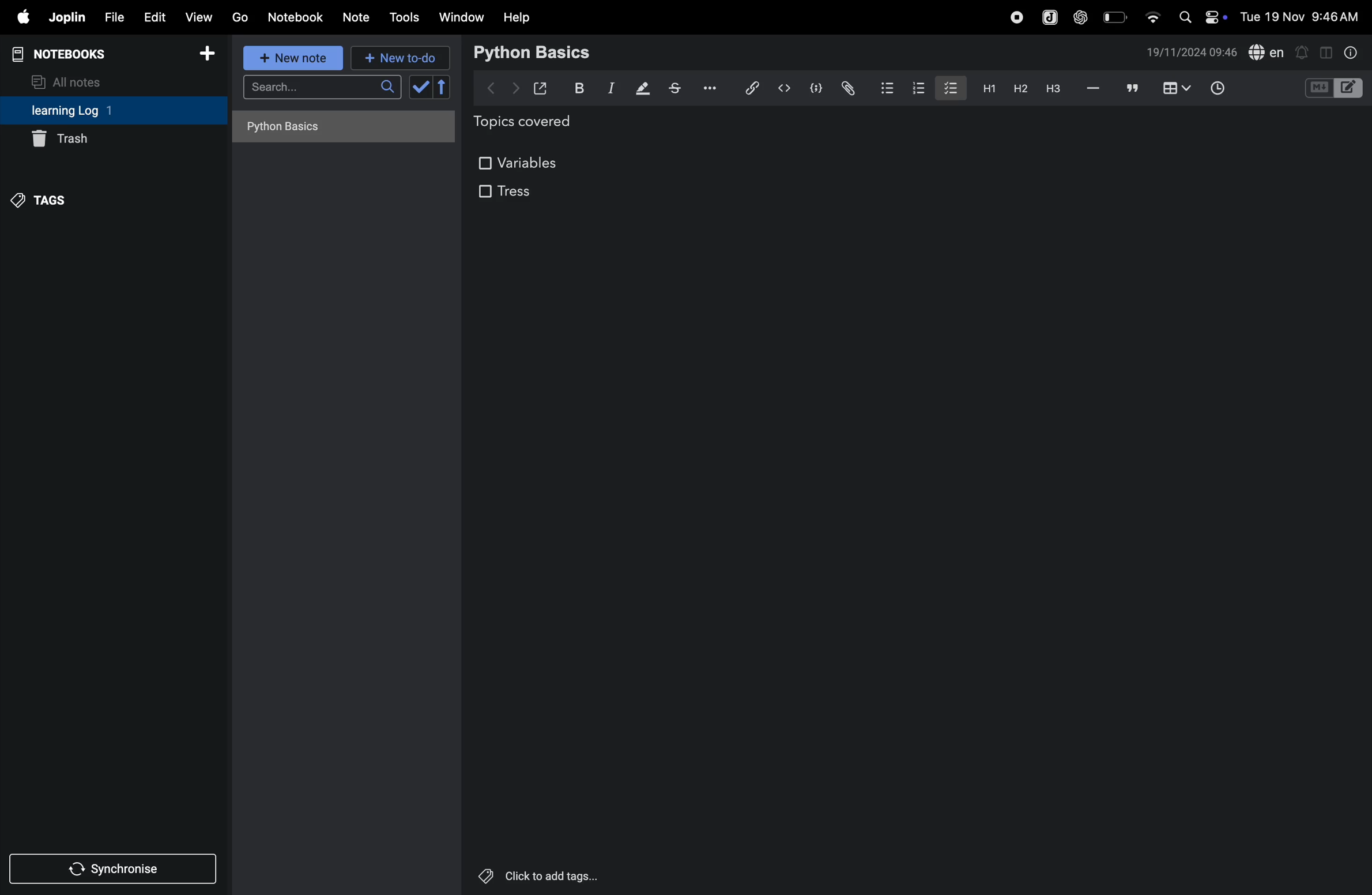 Image resolution: width=1372 pixels, height=895 pixels. I want to click on insert code, so click(785, 88).